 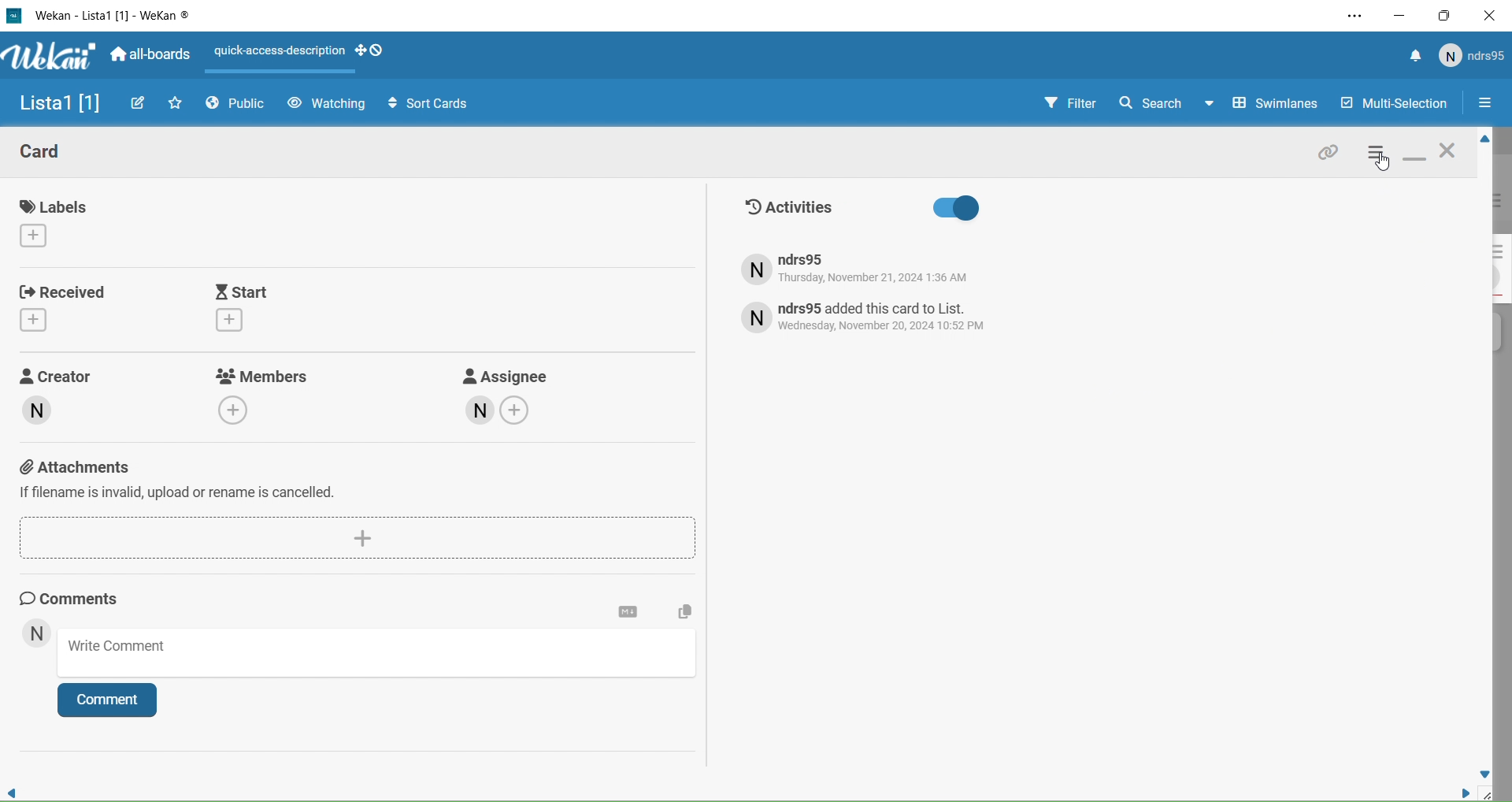 I want to click on Card, so click(x=36, y=150).